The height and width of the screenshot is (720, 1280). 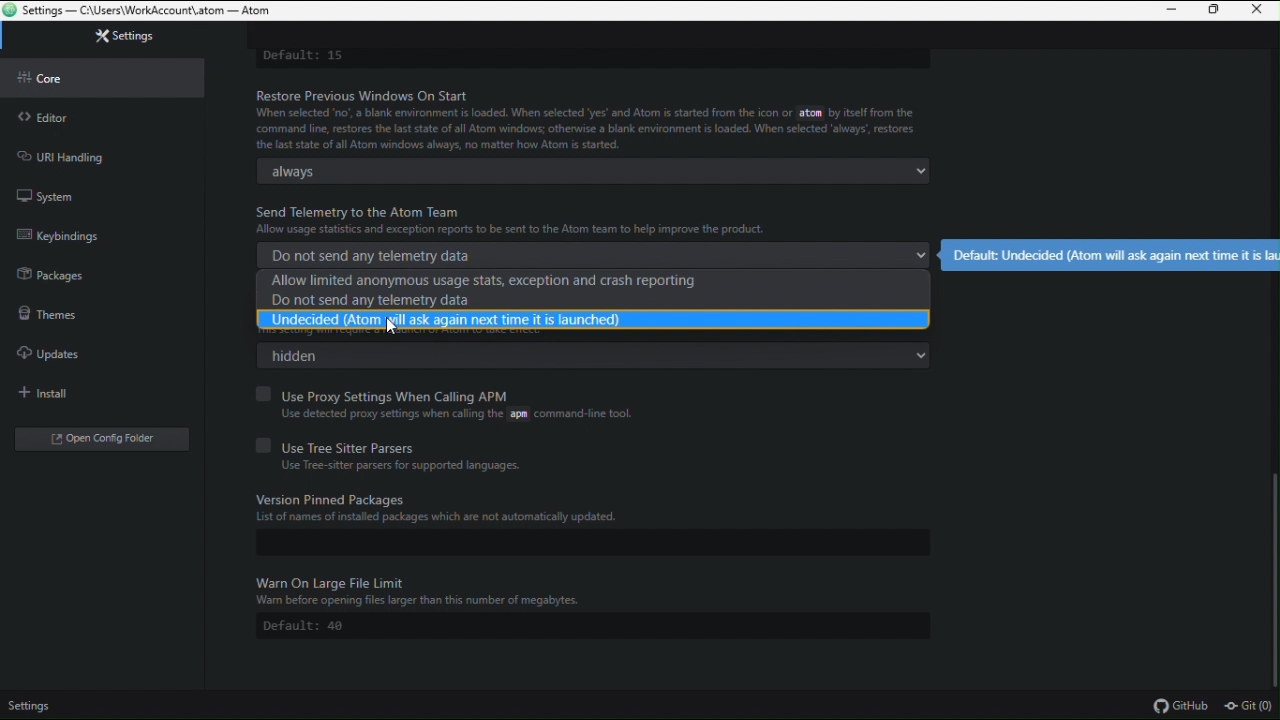 What do you see at coordinates (455, 414) in the screenshot?
I see `Use detected proxy settings when calling the aps command-line tool.` at bounding box center [455, 414].